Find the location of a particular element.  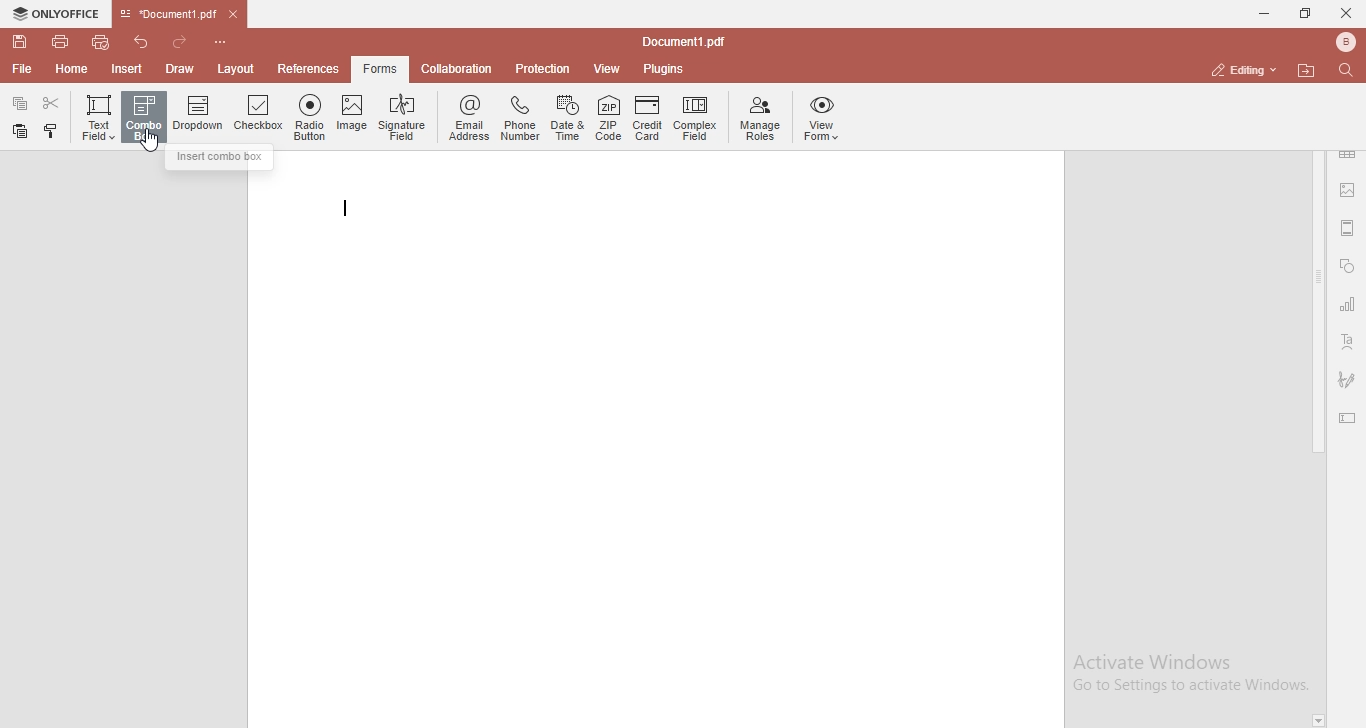

copy style is located at coordinates (53, 131).